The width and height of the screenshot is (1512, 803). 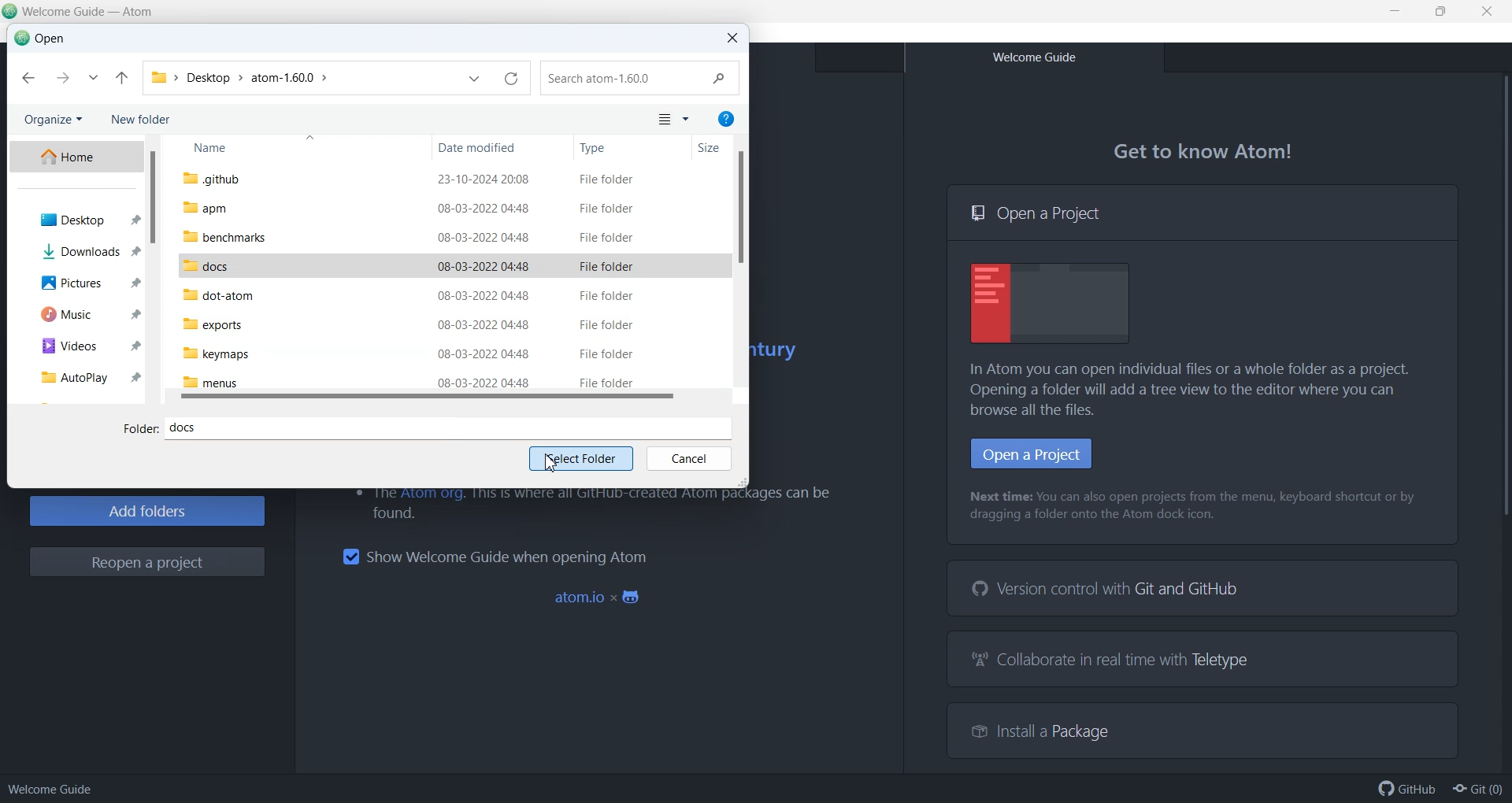 What do you see at coordinates (75, 220) in the screenshot?
I see `Desktop` at bounding box center [75, 220].